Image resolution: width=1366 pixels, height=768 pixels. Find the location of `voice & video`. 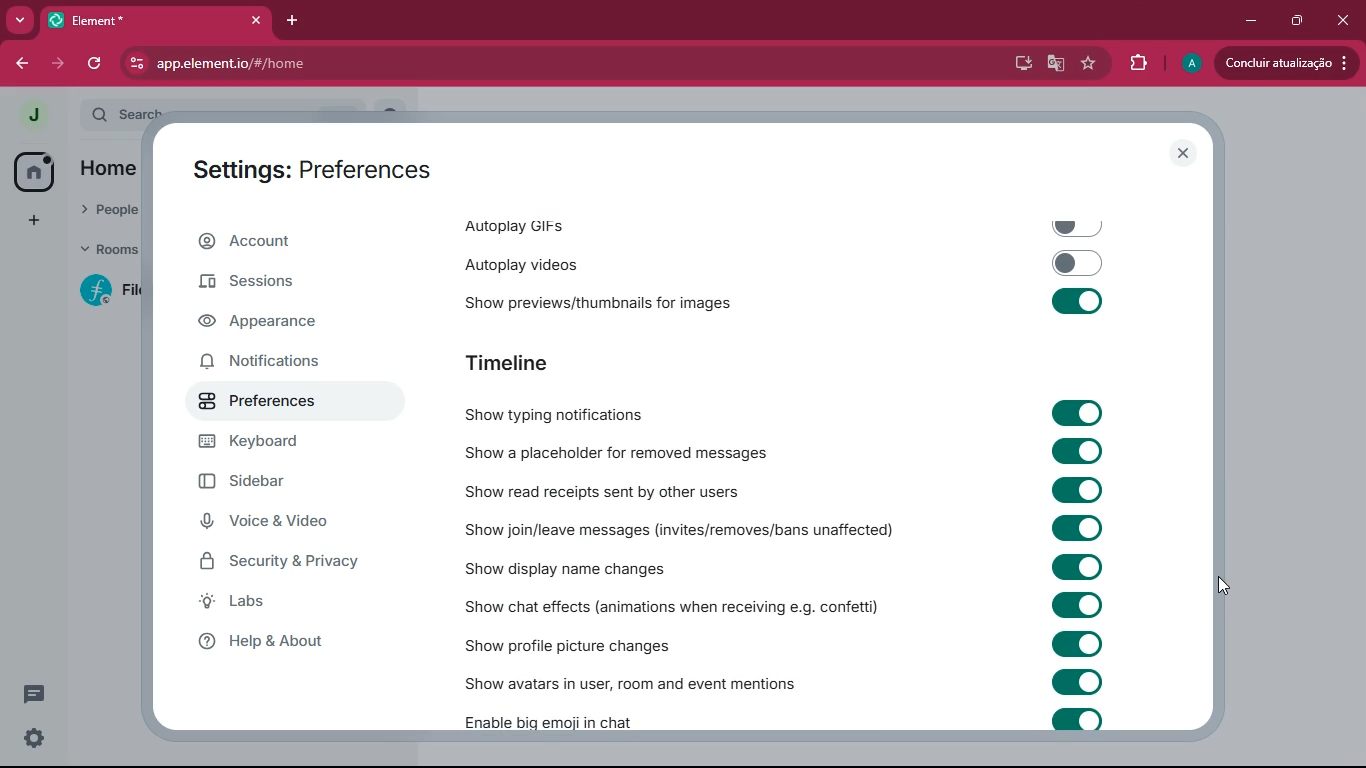

voice & video is located at coordinates (286, 523).